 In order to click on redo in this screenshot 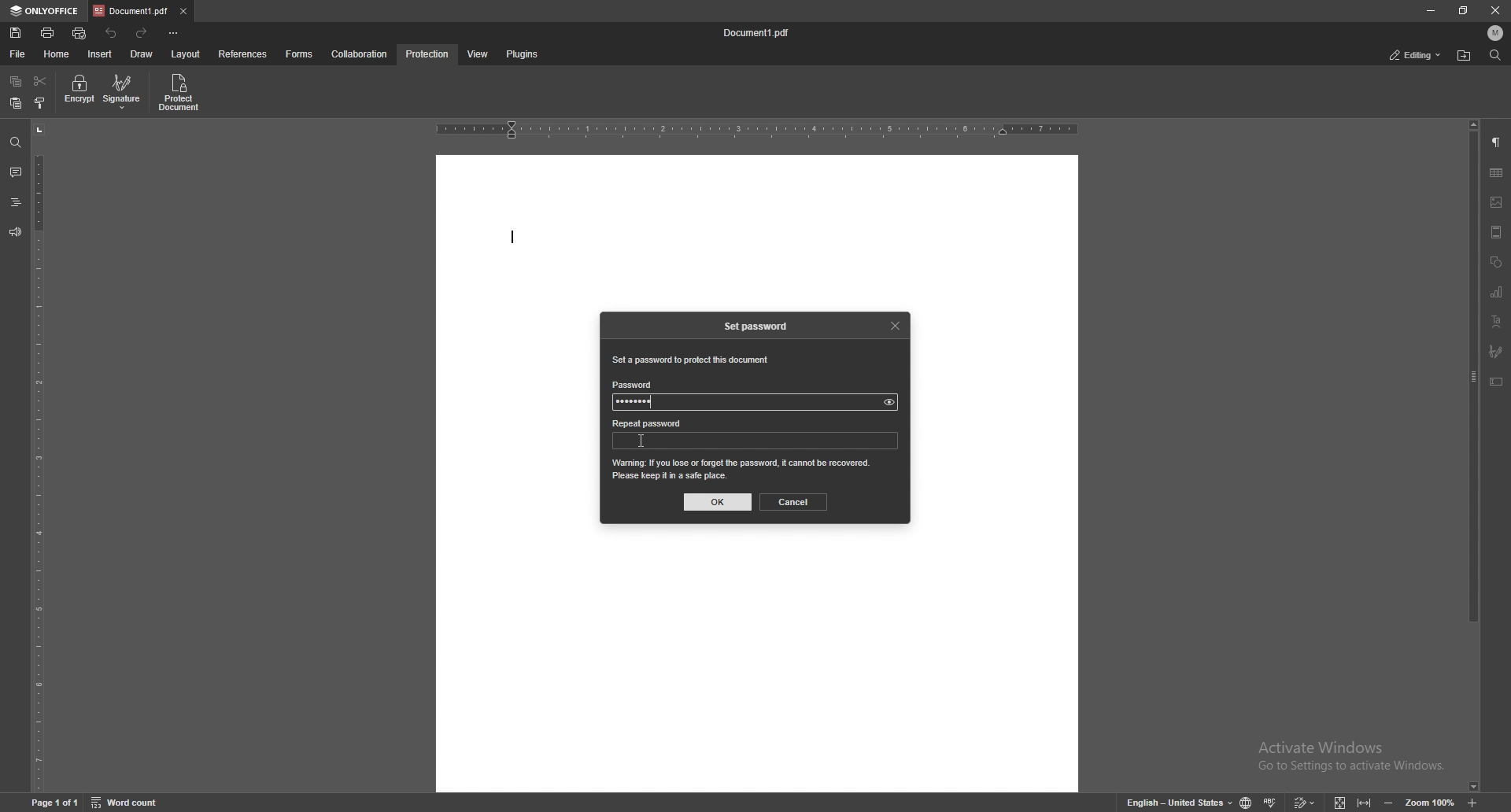, I will do `click(144, 34)`.